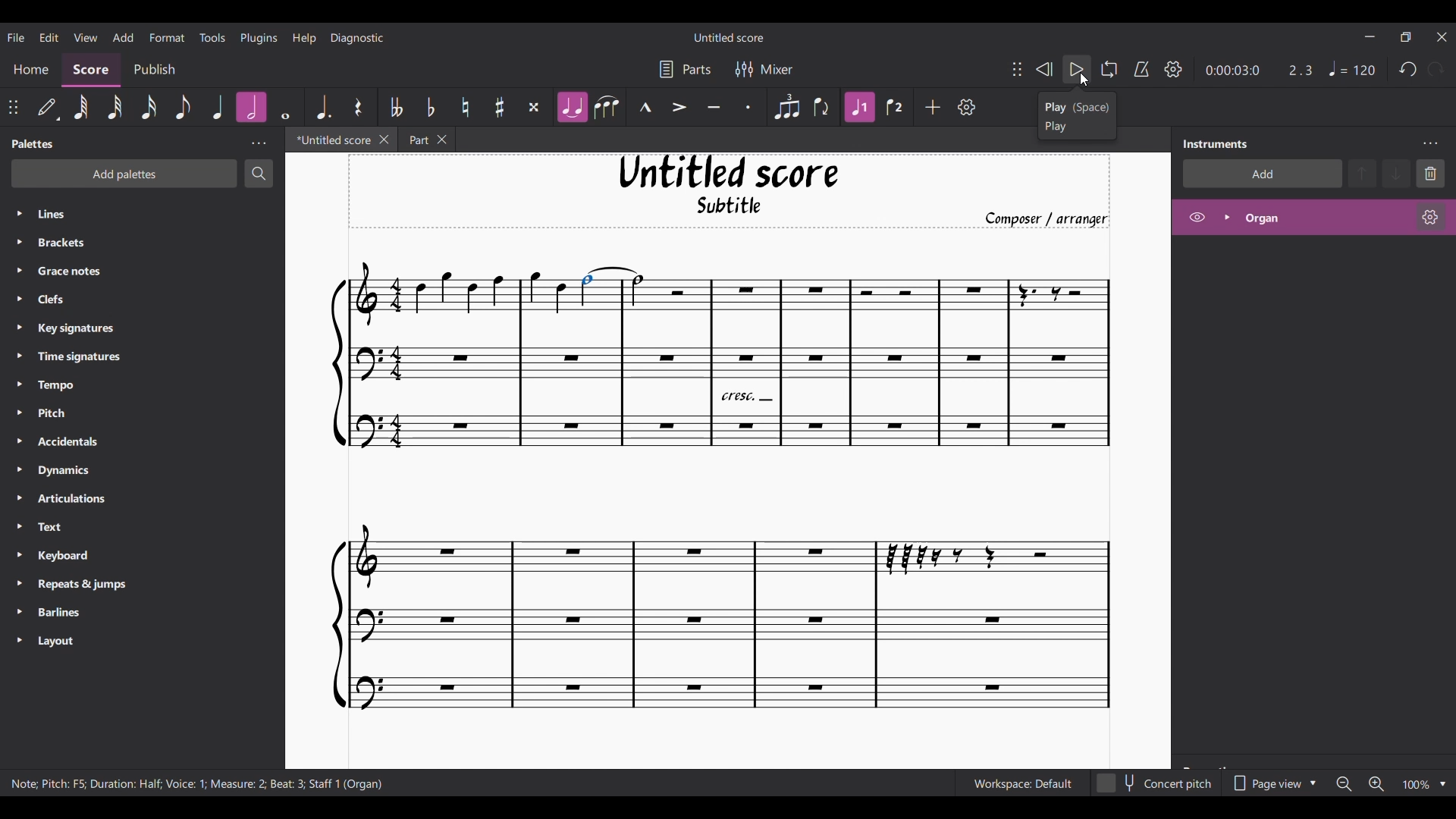  I want to click on Add instruments, so click(1261, 174).